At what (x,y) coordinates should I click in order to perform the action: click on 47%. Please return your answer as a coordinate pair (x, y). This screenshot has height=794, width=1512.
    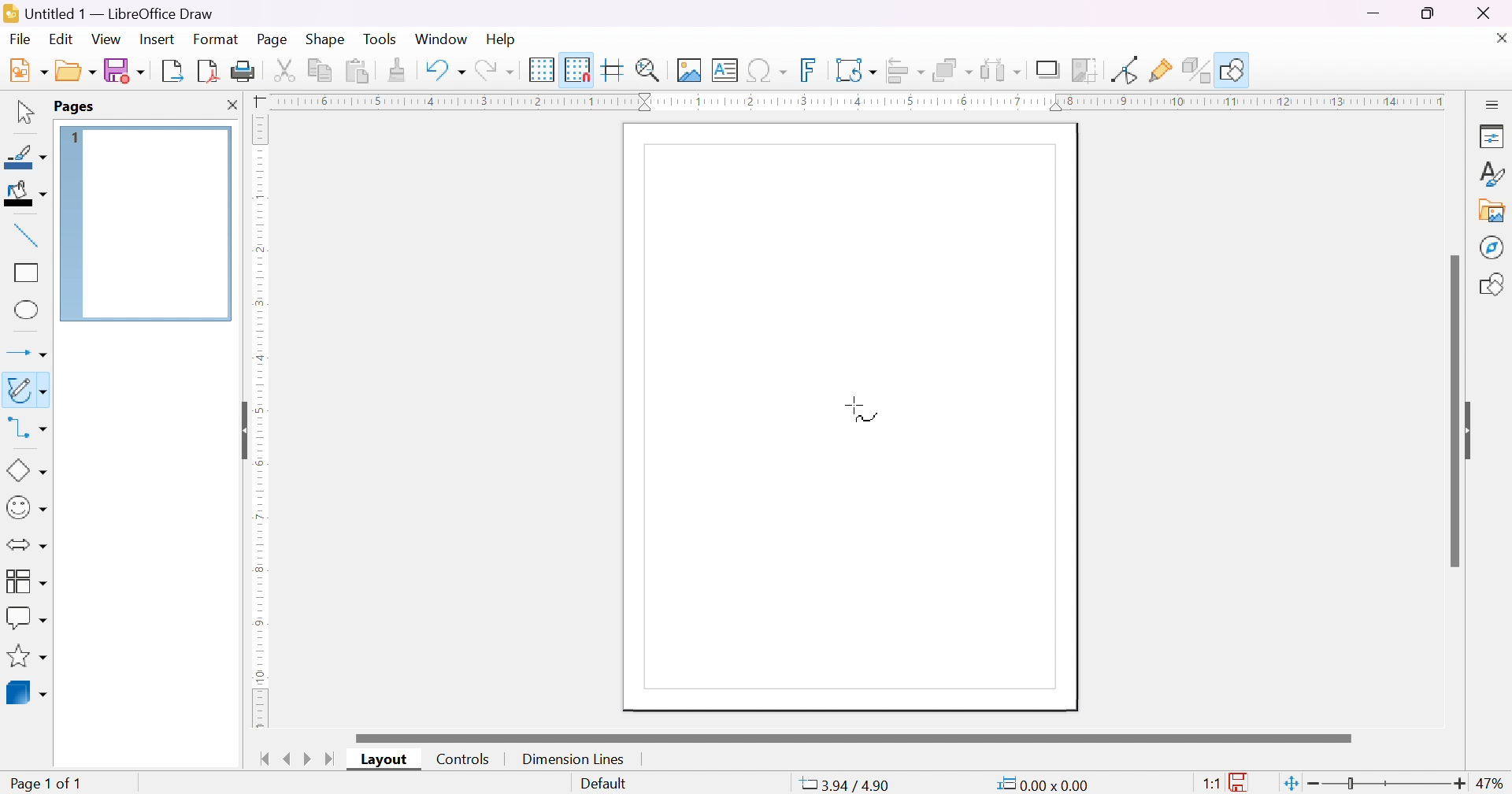
    Looking at the image, I should click on (1492, 785).